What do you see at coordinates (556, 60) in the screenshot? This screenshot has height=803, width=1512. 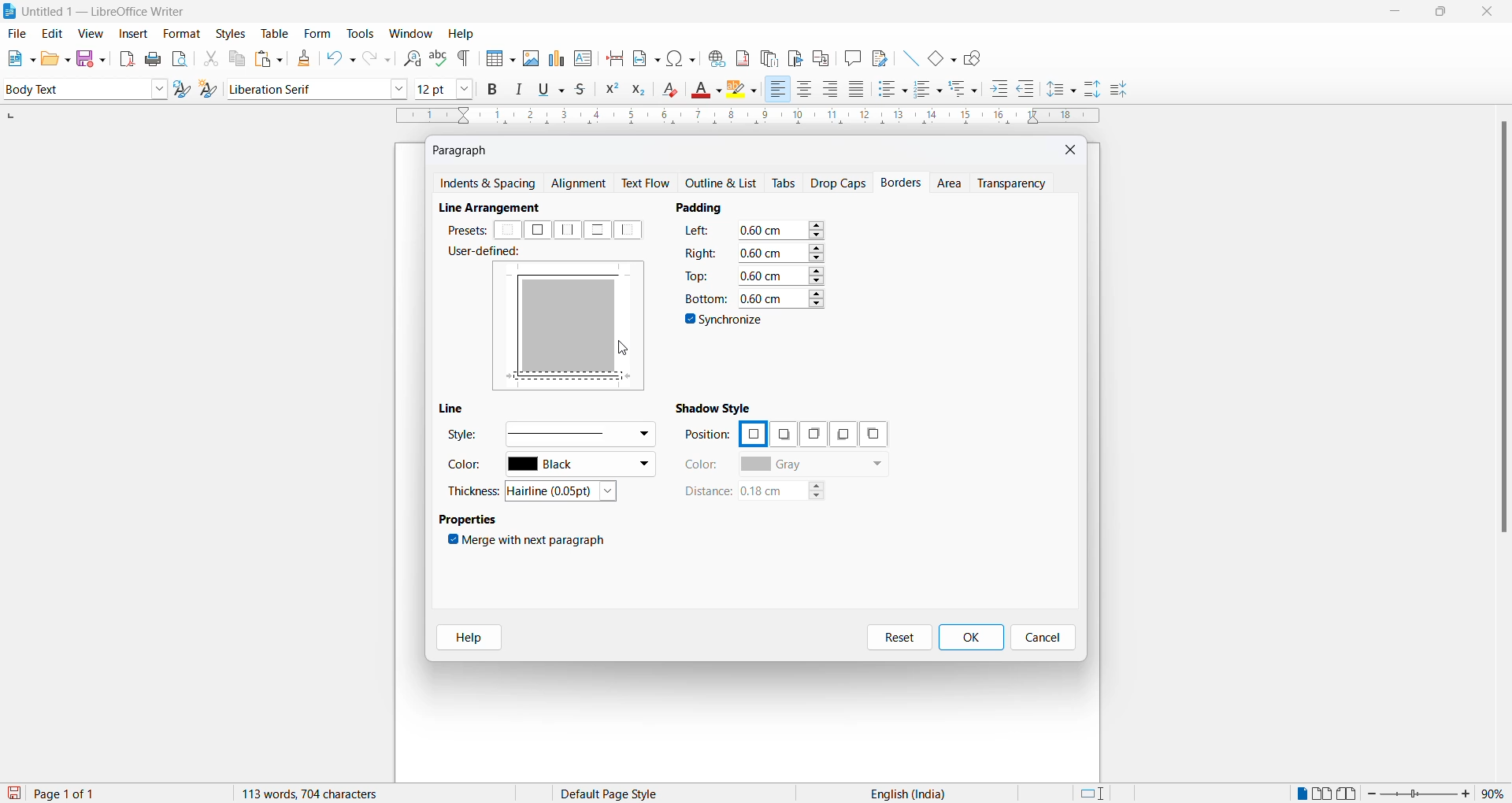 I see `insert chart` at bounding box center [556, 60].